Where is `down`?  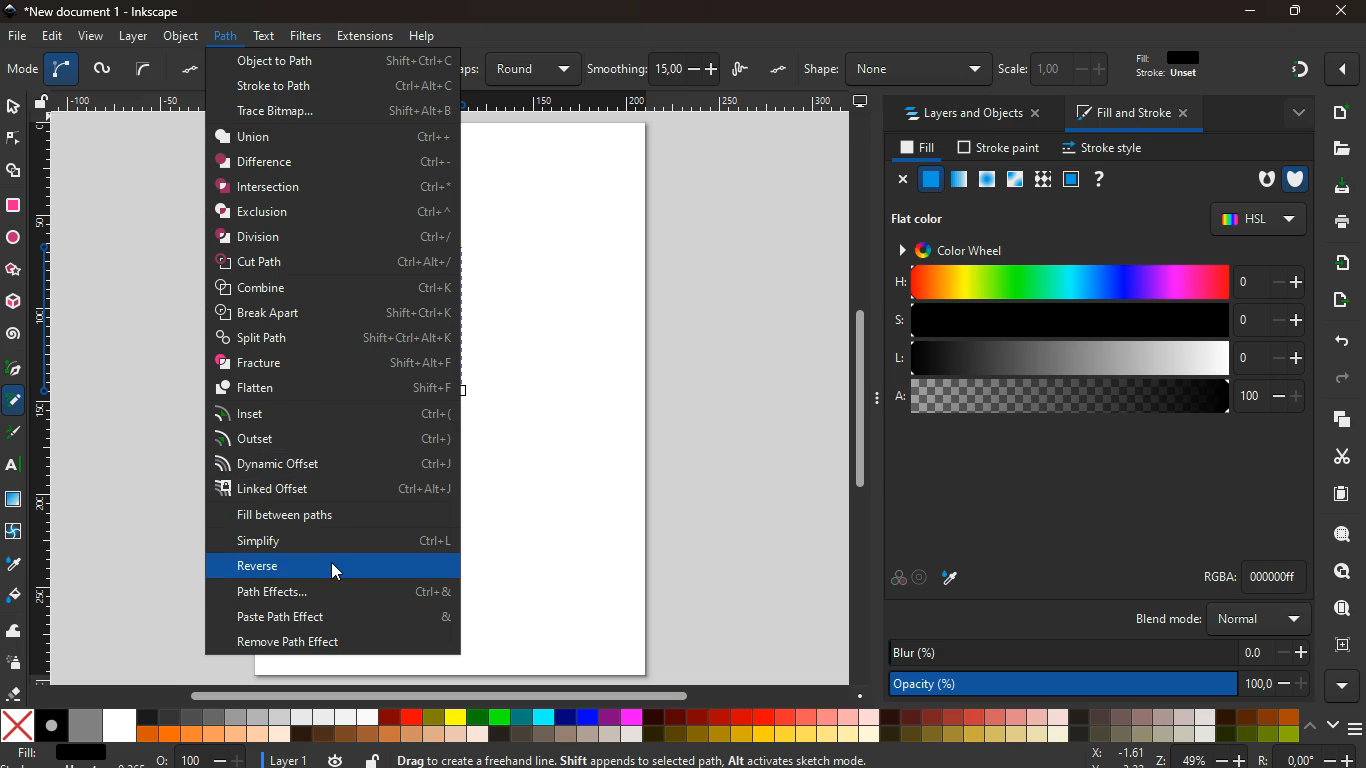 down is located at coordinates (1333, 723).